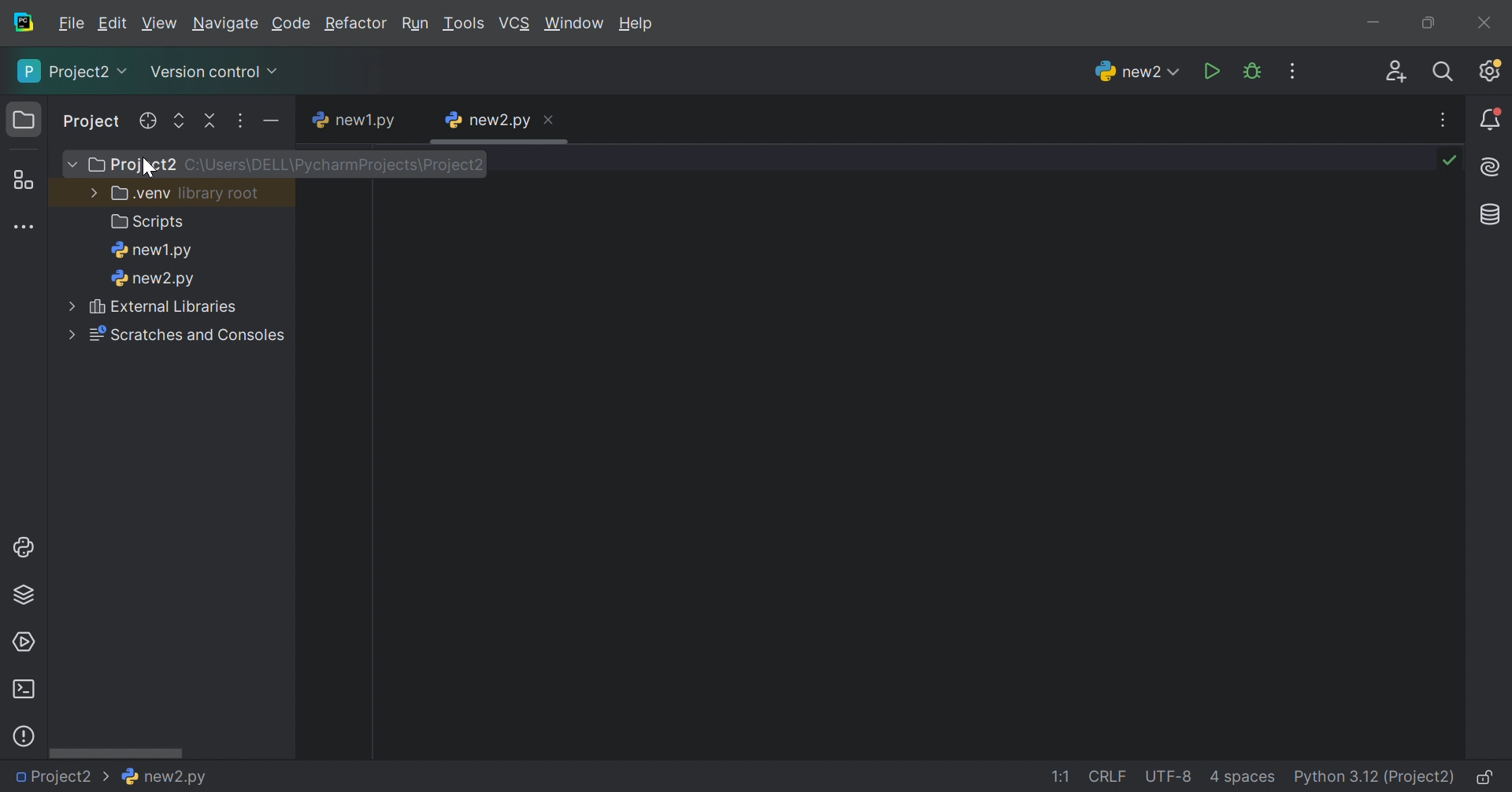 This screenshot has width=1512, height=792. Describe the element at coordinates (179, 120) in the screenshot. I see `Expand selected` at that location.